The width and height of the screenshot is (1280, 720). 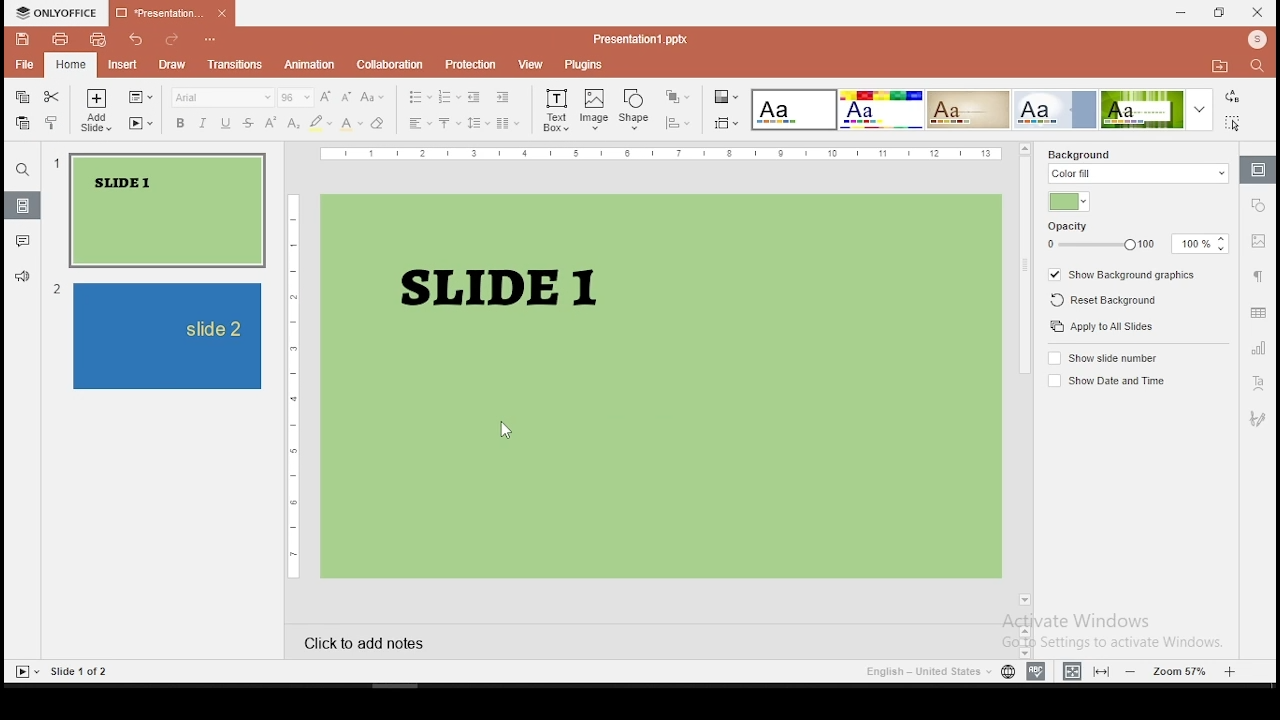 I want to click on show background graphics, so click(x=1125, y=275).